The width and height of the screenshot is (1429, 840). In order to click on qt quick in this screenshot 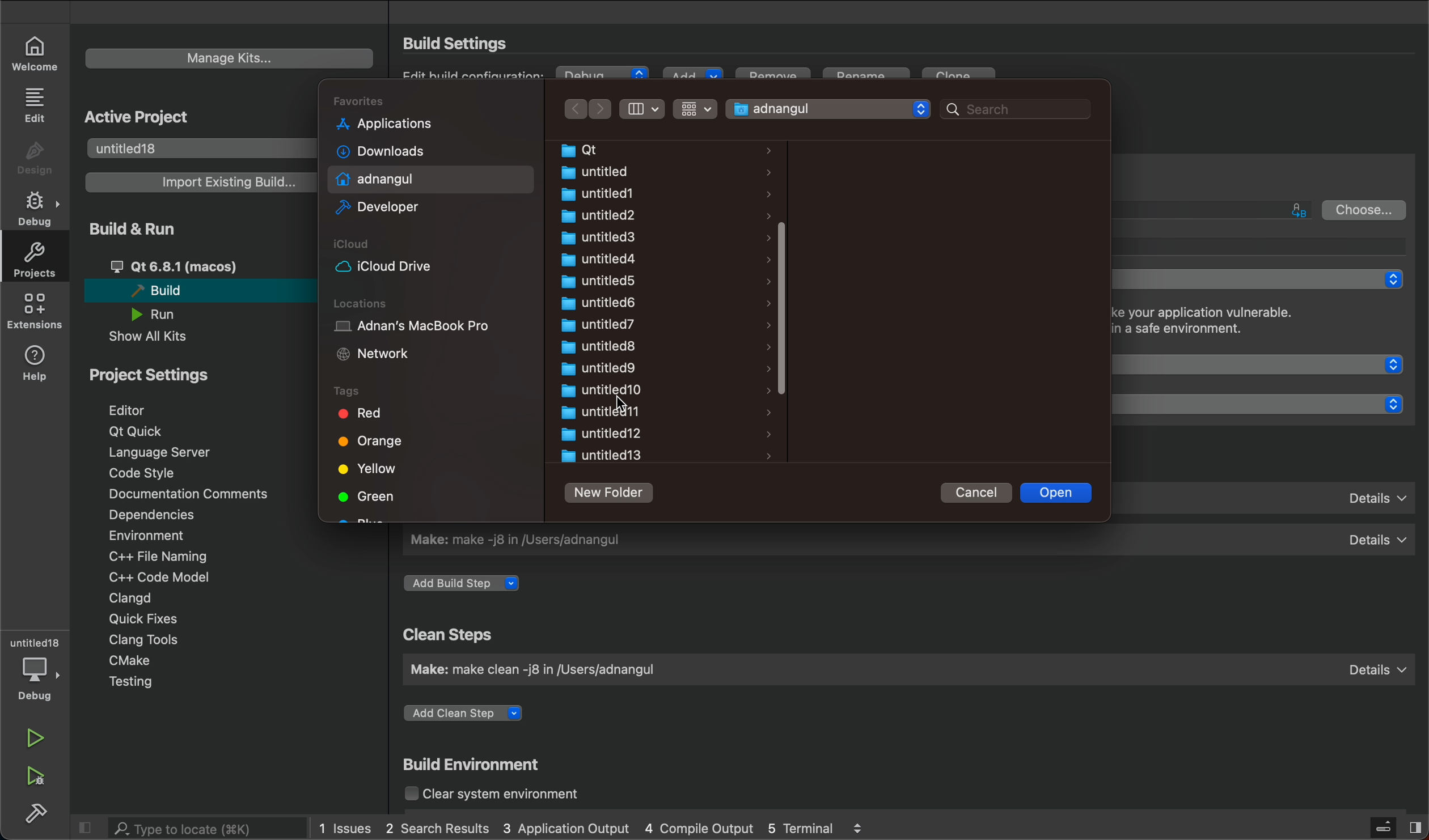, I will do `click(150, 431)`.